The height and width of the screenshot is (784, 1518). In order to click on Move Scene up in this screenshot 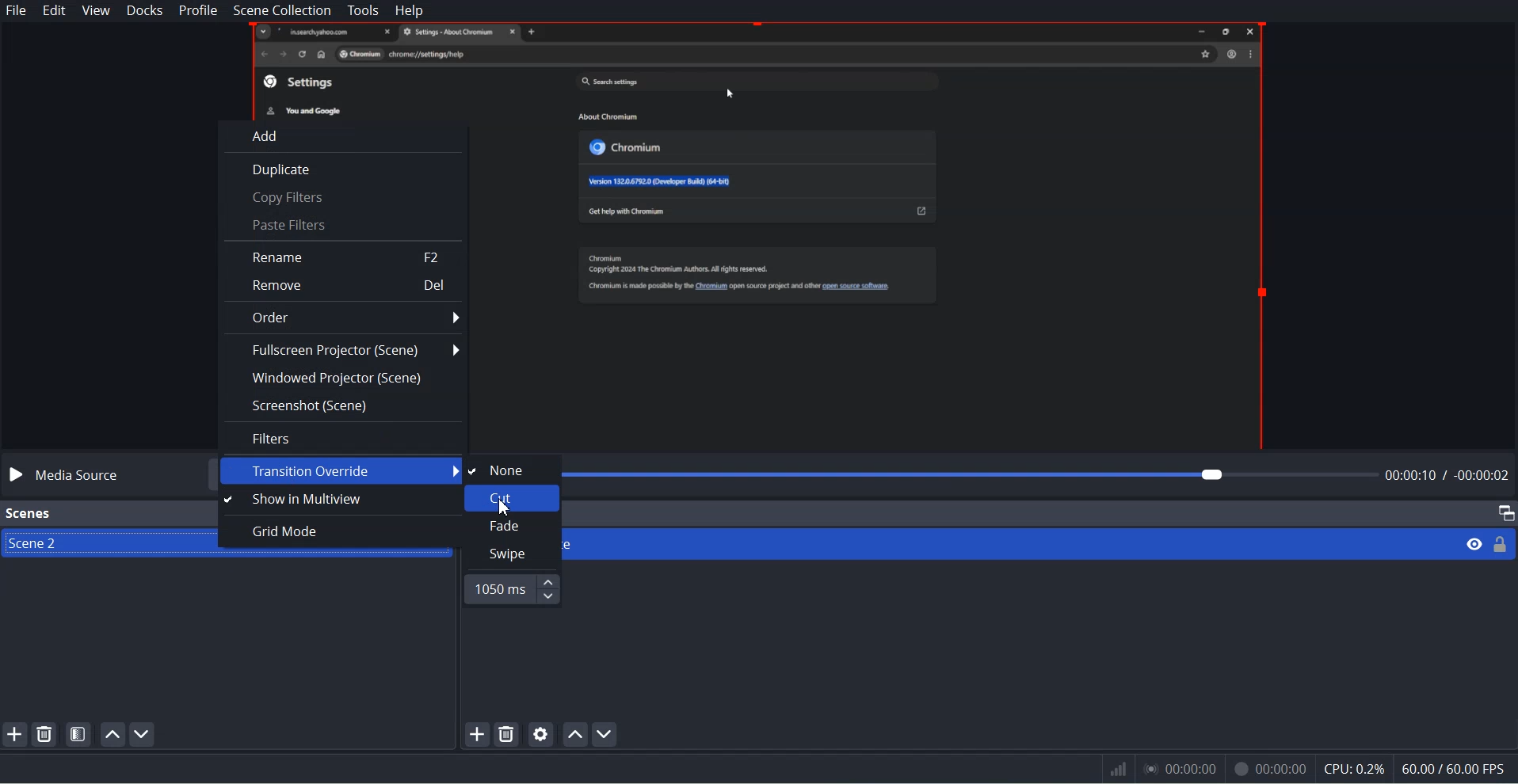, I will do `click(111, 734)`.